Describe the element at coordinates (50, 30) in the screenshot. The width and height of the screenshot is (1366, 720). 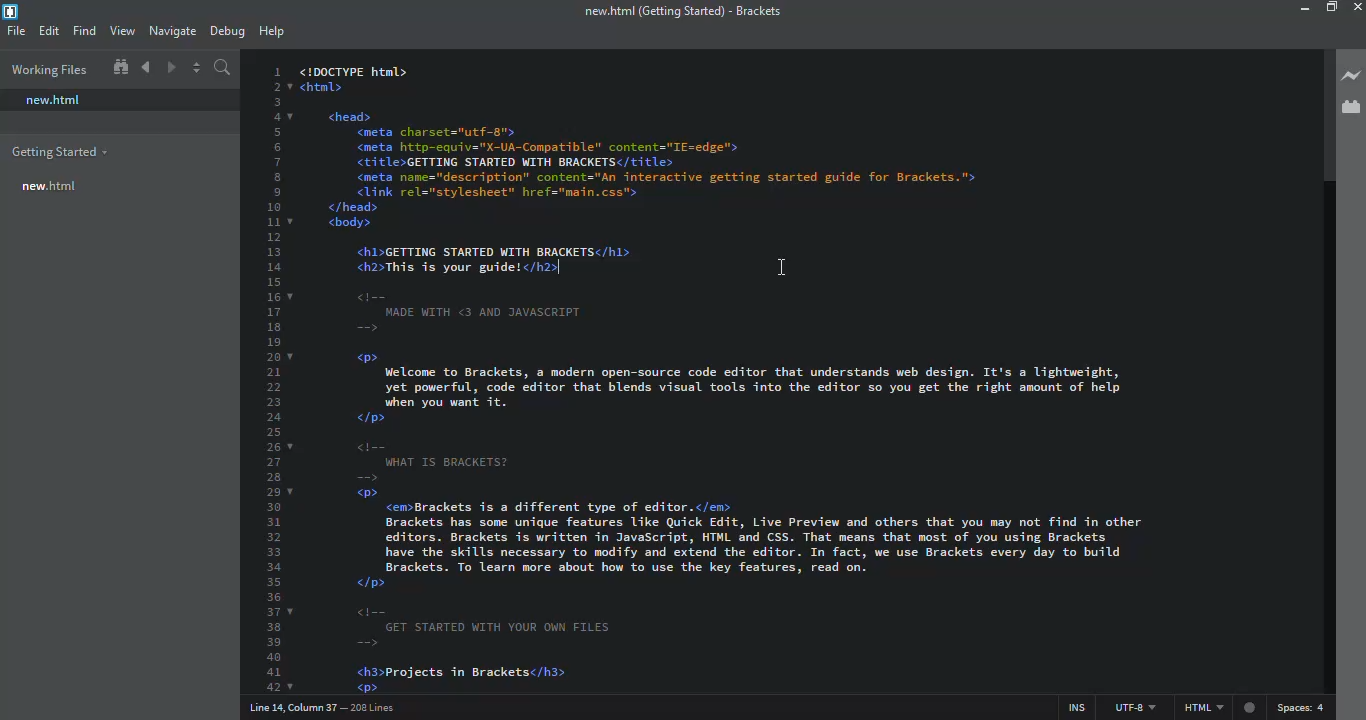
I see `edit` at that location.